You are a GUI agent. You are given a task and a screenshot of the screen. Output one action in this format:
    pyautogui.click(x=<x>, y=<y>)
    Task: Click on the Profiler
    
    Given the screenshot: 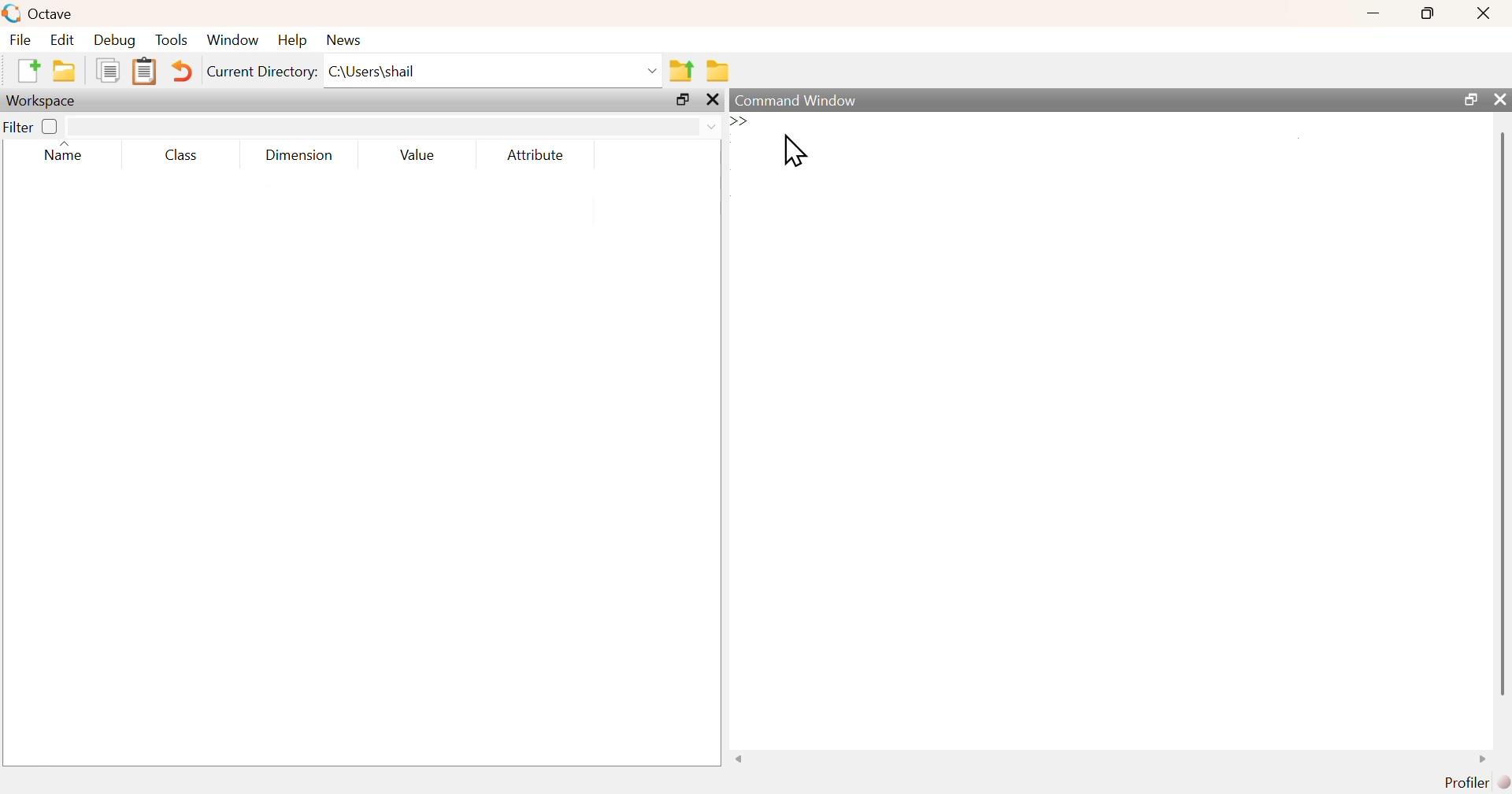 What is the action you would take?
    pyautogui.click(x=1473, y=781)
    